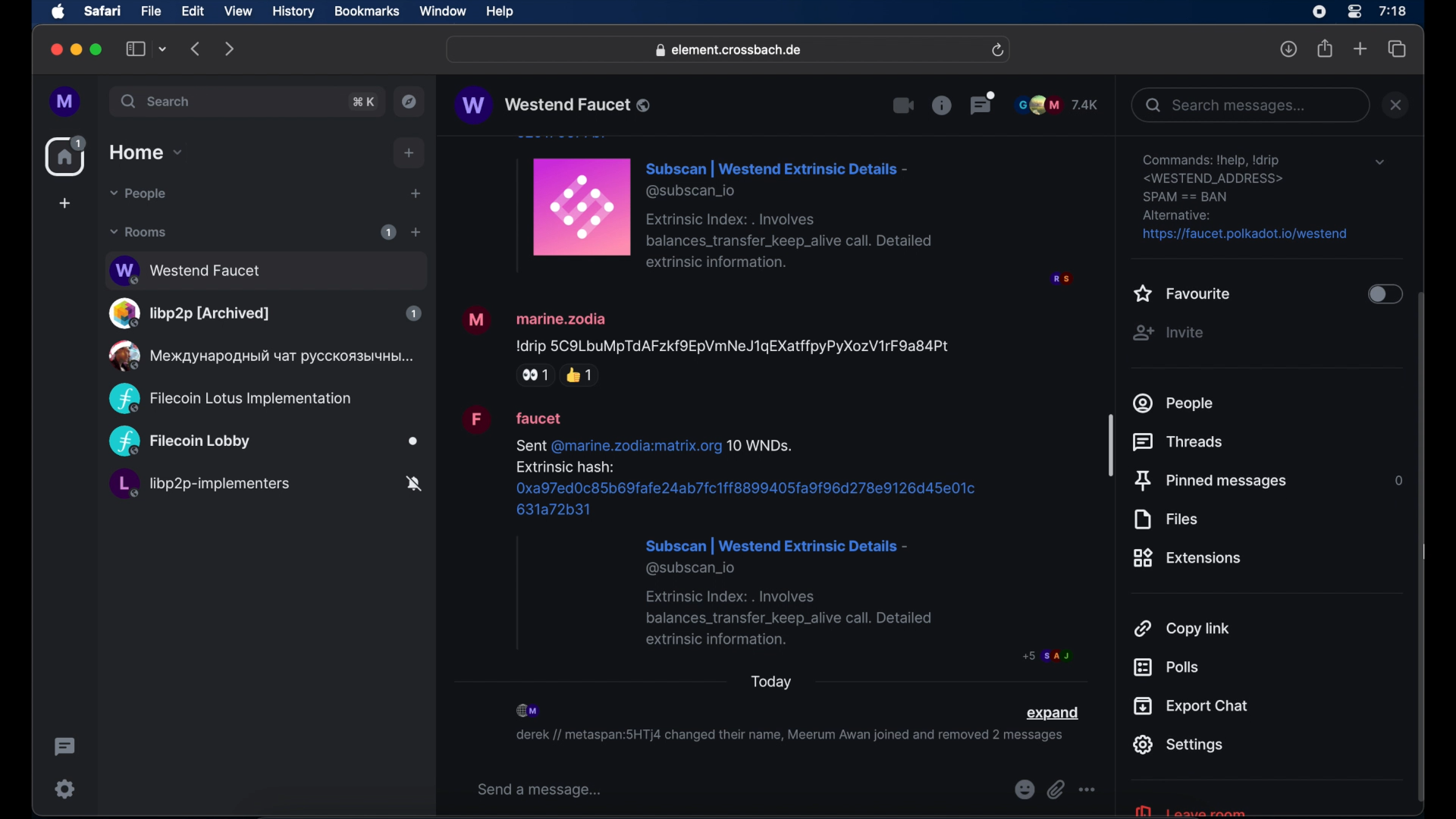 The image size is (1456, 819). What do you see at coordinates (1249, 105) in the screenshot?
I see `search messages` at bounding box center [1249, 105].